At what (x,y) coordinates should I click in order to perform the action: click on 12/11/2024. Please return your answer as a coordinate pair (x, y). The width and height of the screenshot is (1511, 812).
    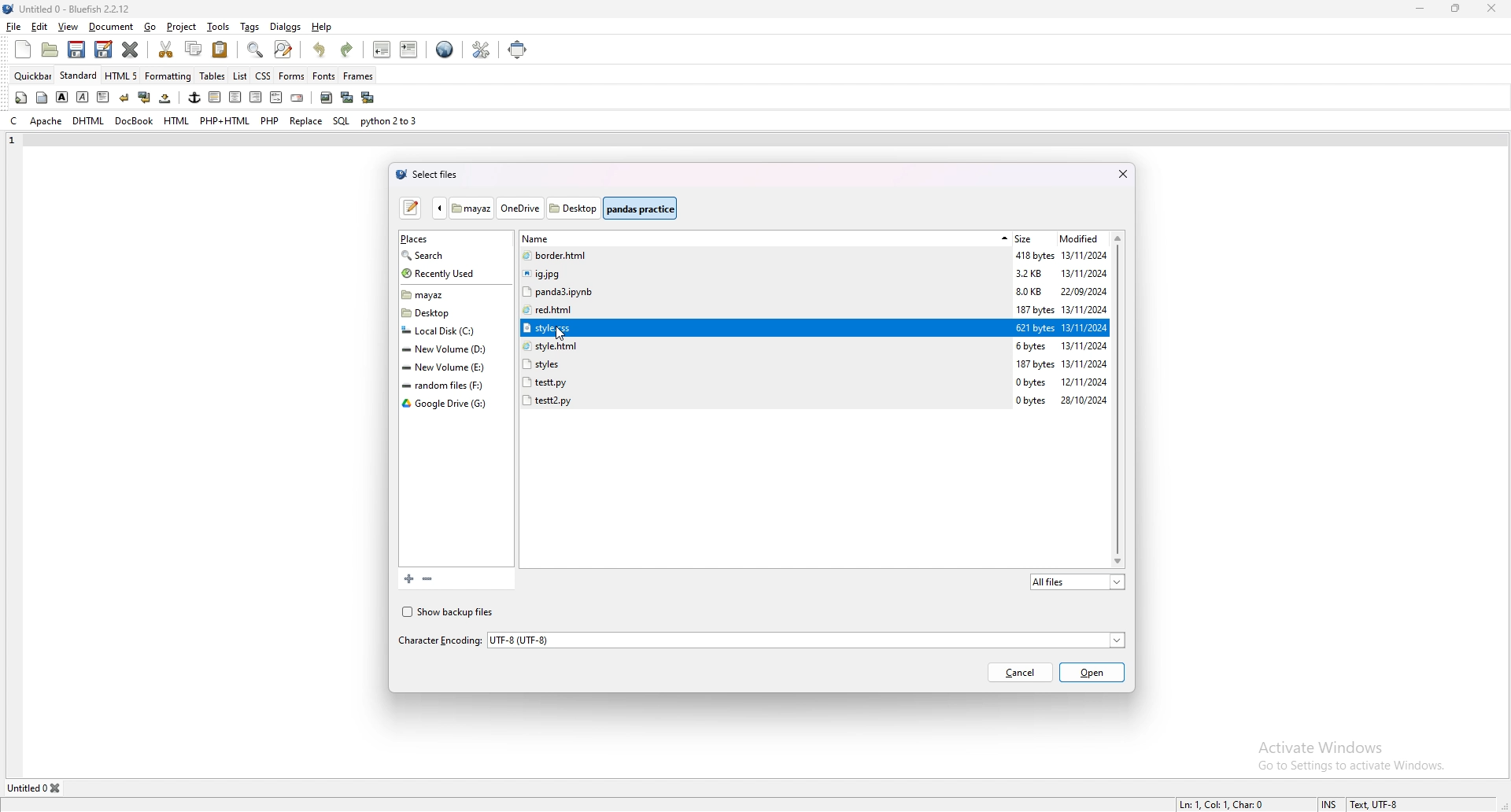
    Looking at the image, I should click on (1085, 383).